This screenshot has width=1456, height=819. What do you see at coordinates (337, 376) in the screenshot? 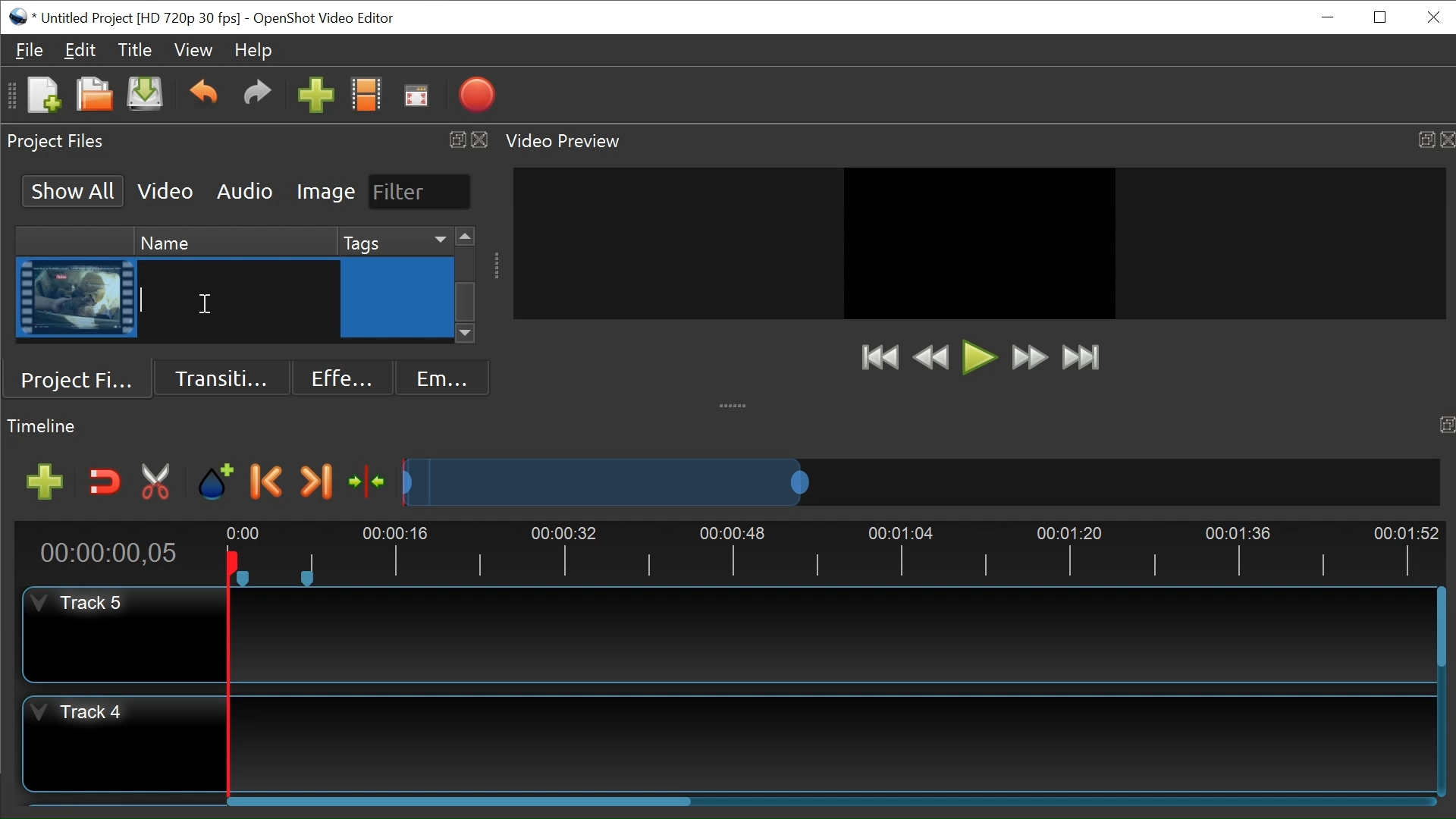
I see `Effects` at bounding box center [337, 376].